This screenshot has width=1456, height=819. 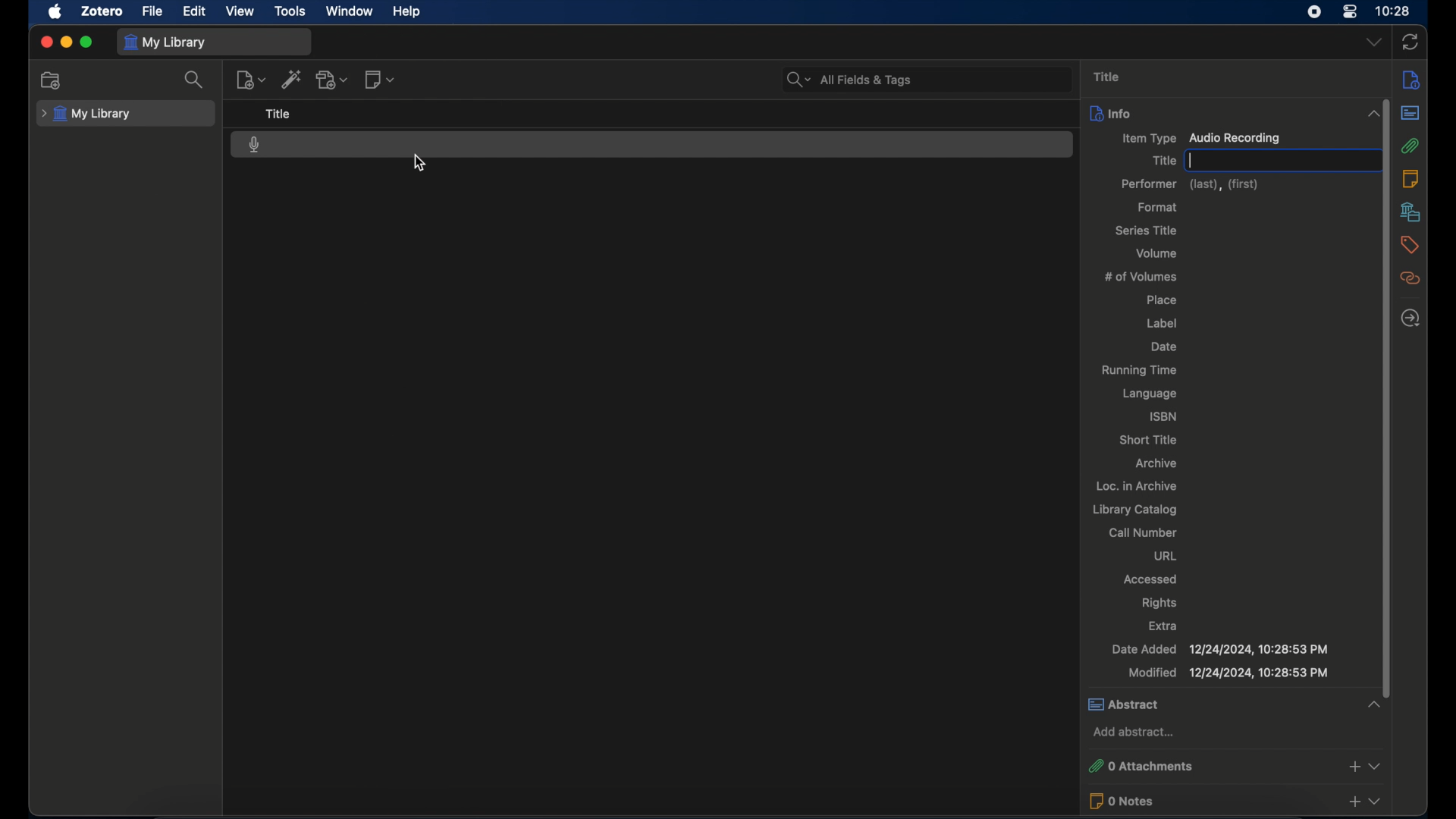 I want to click on audio recording, so click(x=255, y=145).